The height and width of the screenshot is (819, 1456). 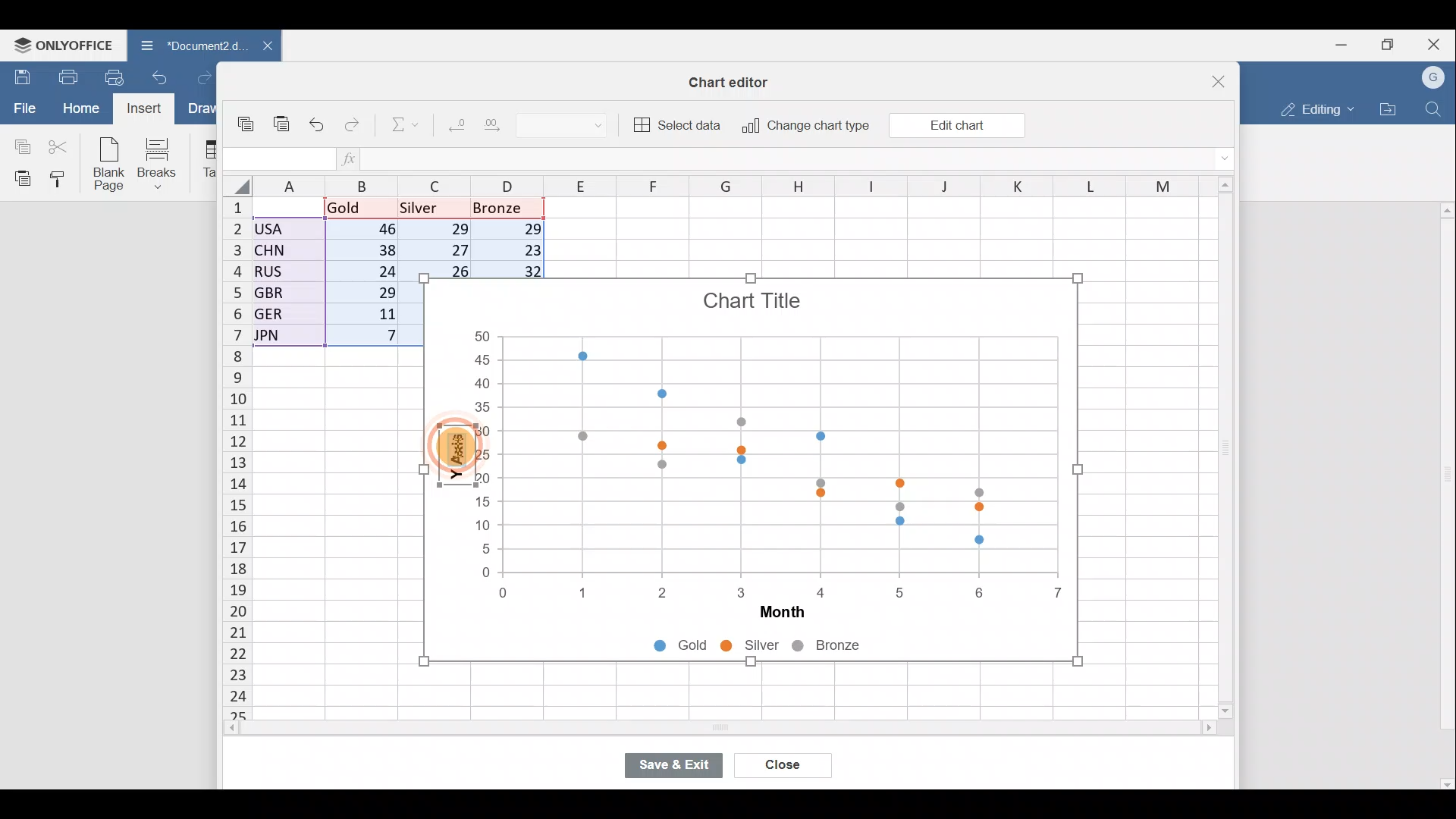 I want to click on Columns, so click(x=722, y=184).